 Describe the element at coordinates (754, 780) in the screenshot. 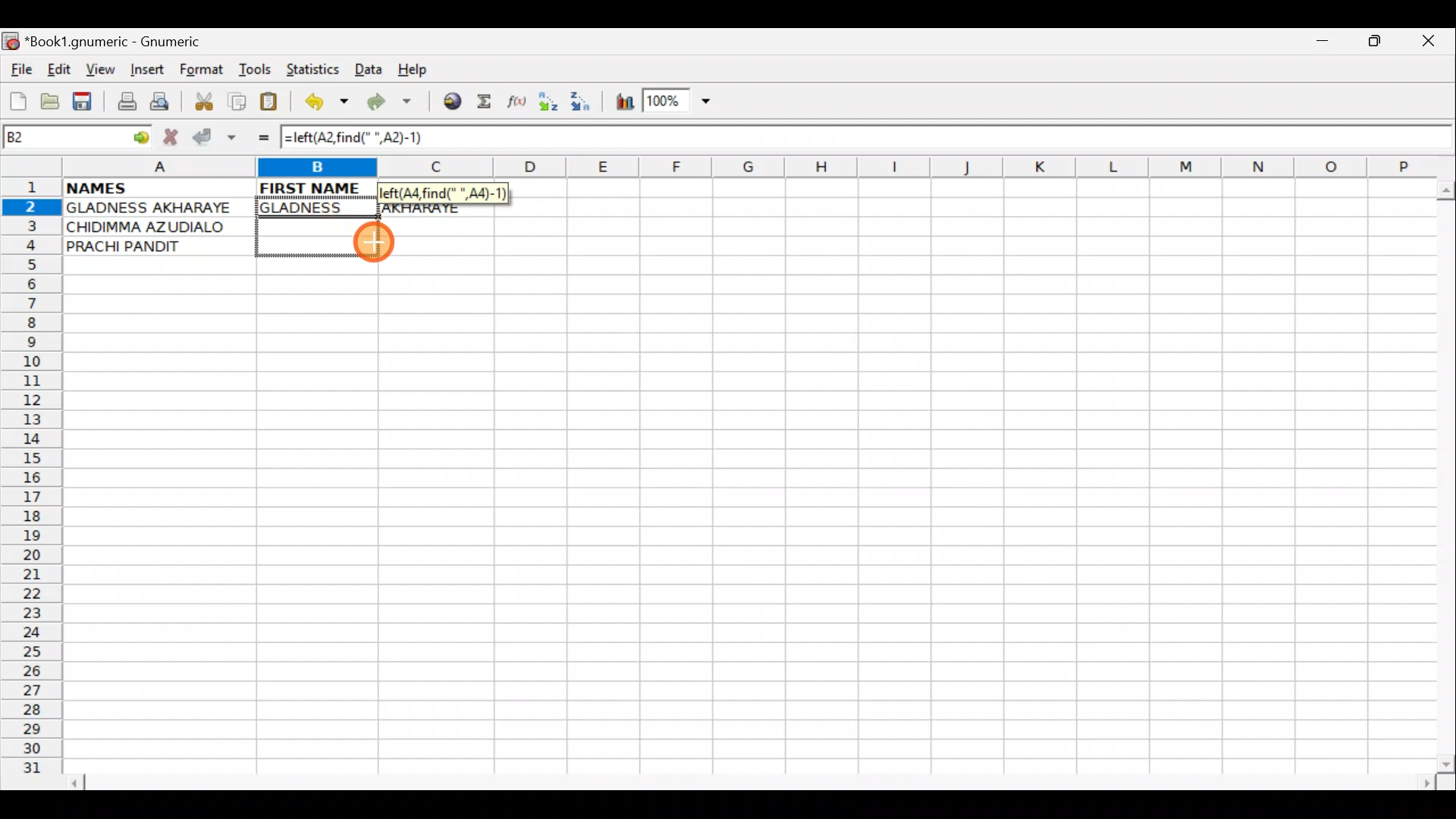

I see `Scroll bar` at that location.